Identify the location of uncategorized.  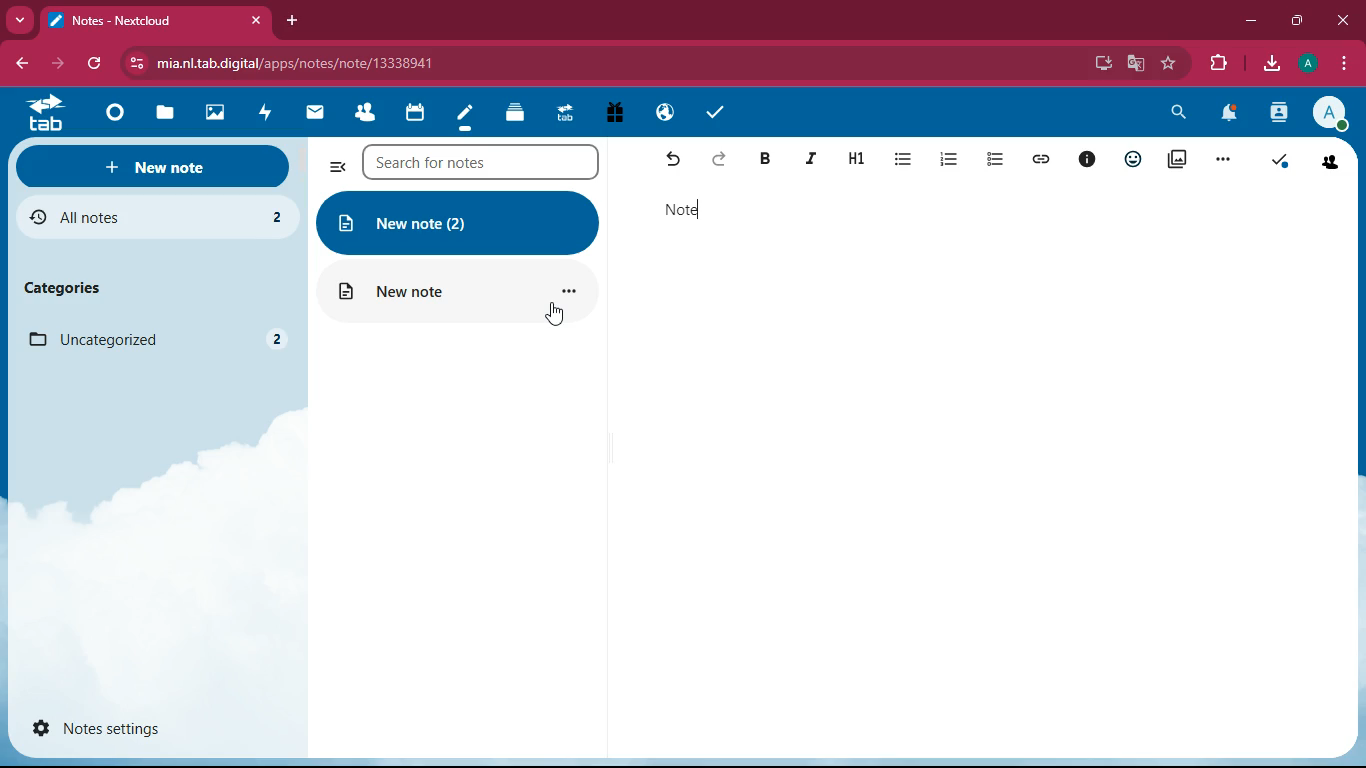
(154, 340).